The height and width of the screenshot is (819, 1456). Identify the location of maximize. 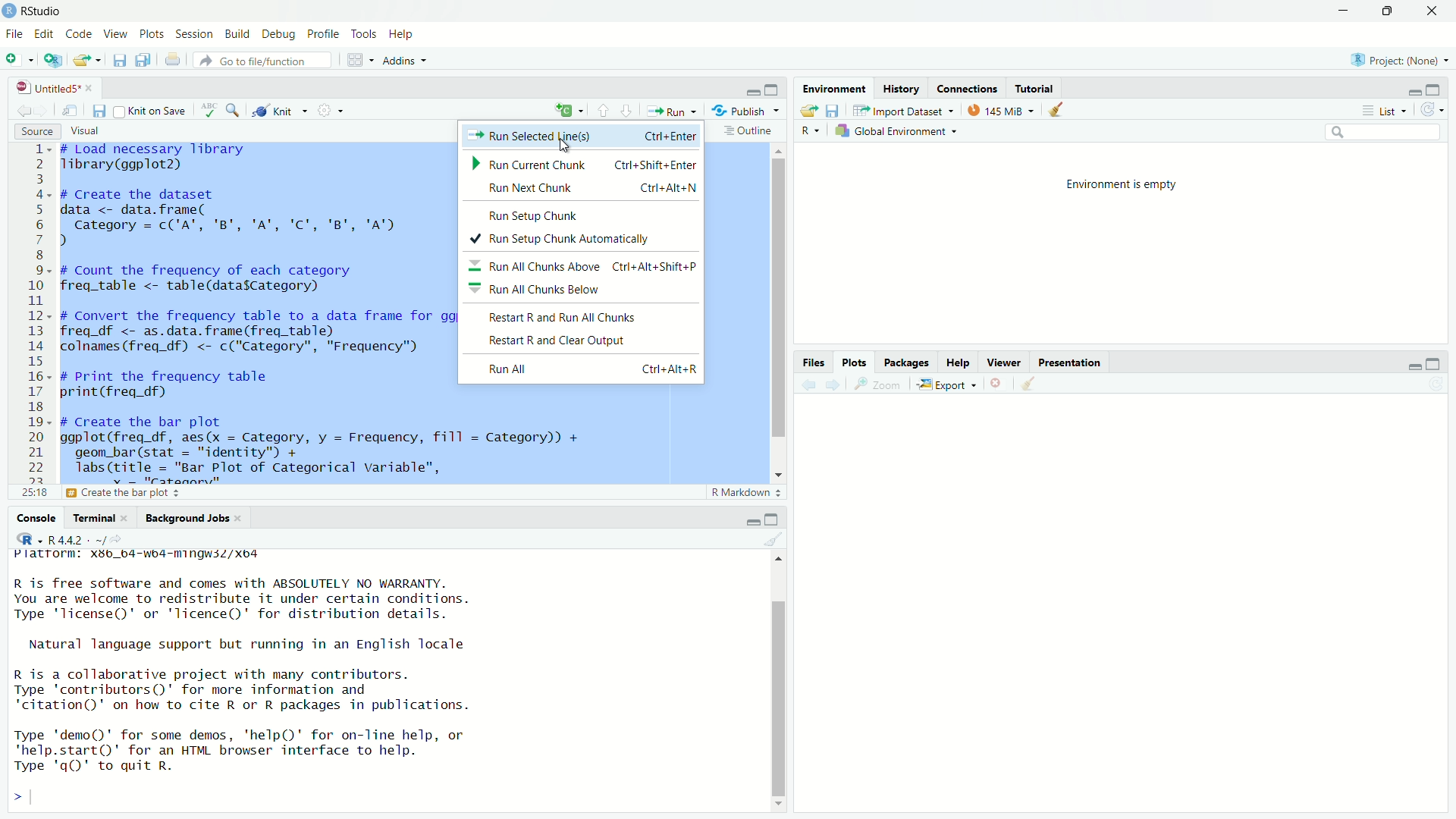
(777, 89).